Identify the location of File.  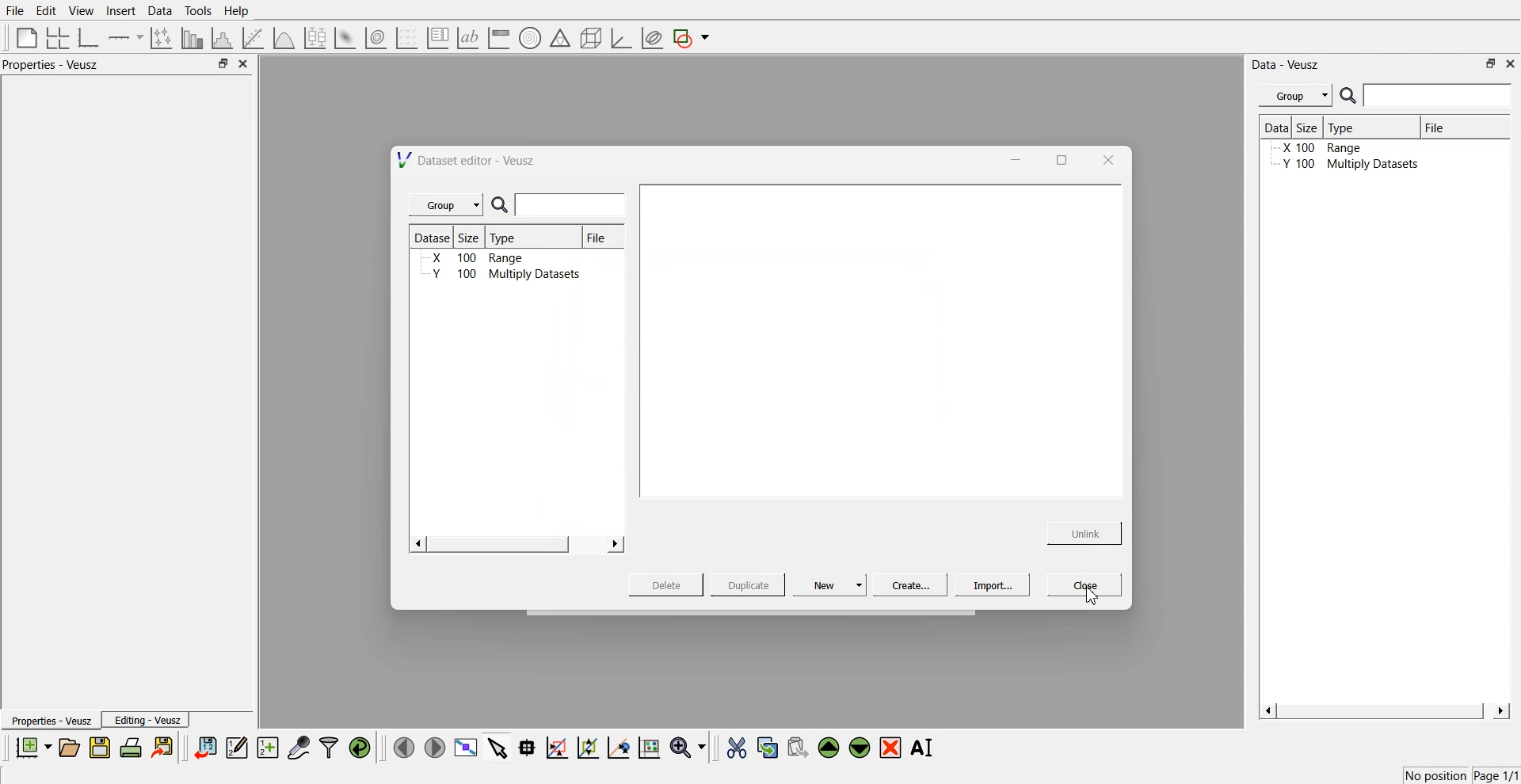
(16, 11).